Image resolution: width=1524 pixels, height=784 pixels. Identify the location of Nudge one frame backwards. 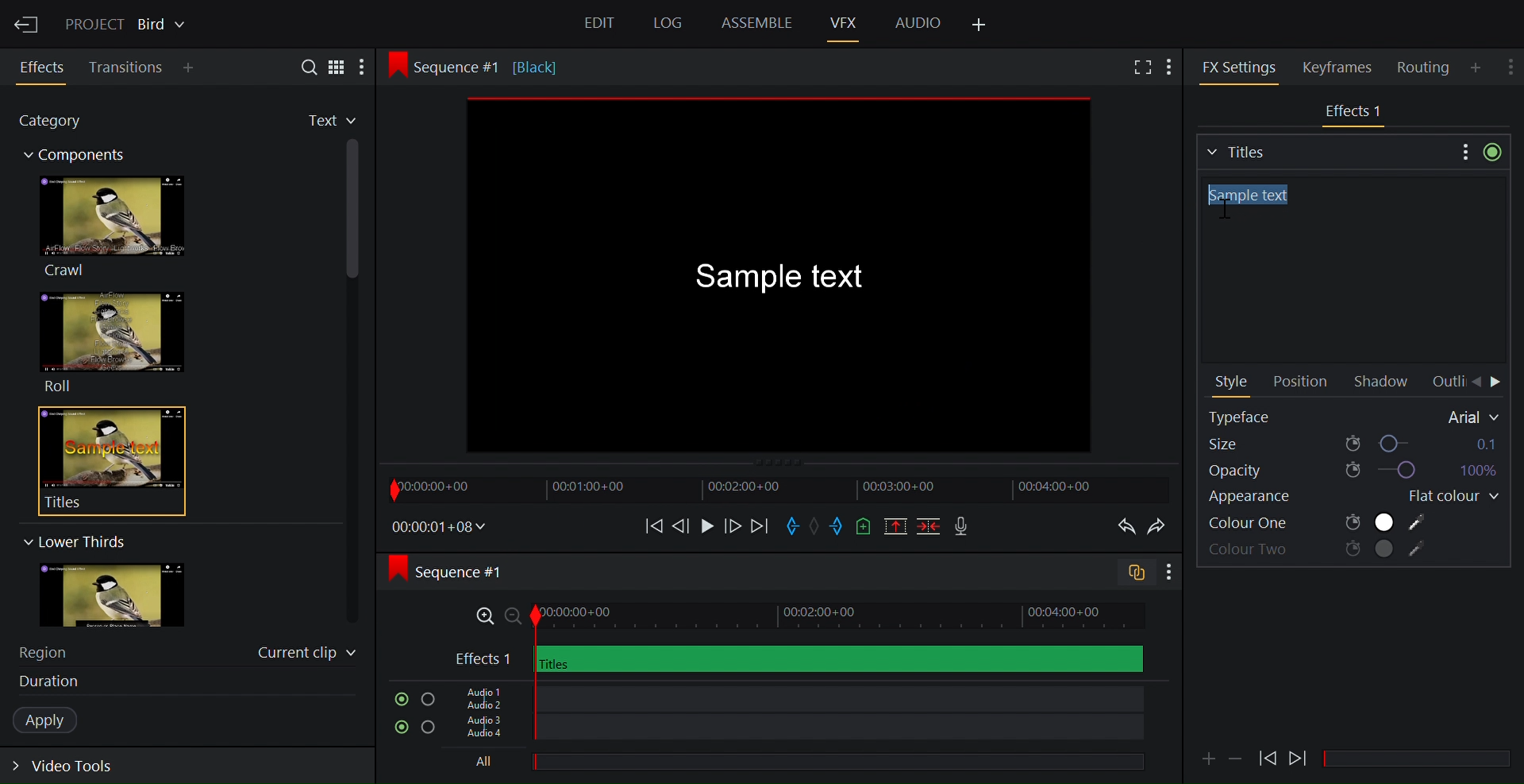
(682, 525).